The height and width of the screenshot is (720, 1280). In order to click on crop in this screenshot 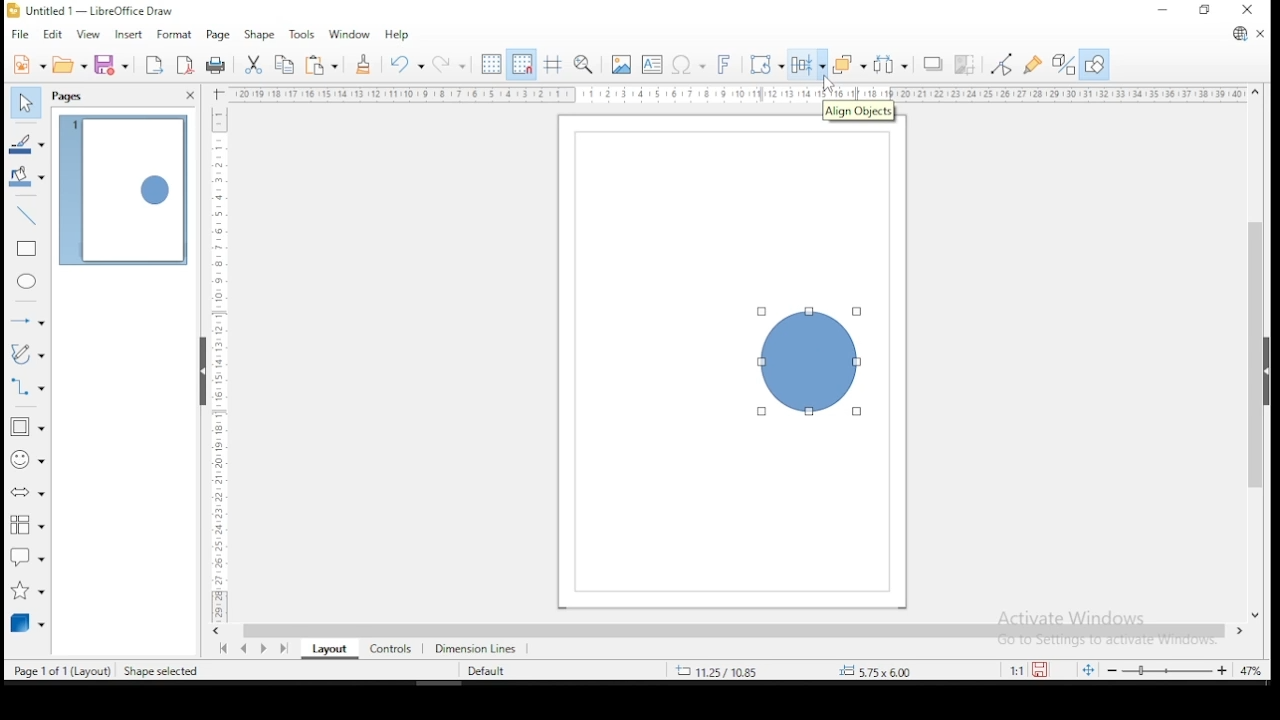, I will do `click(964, 66)`.